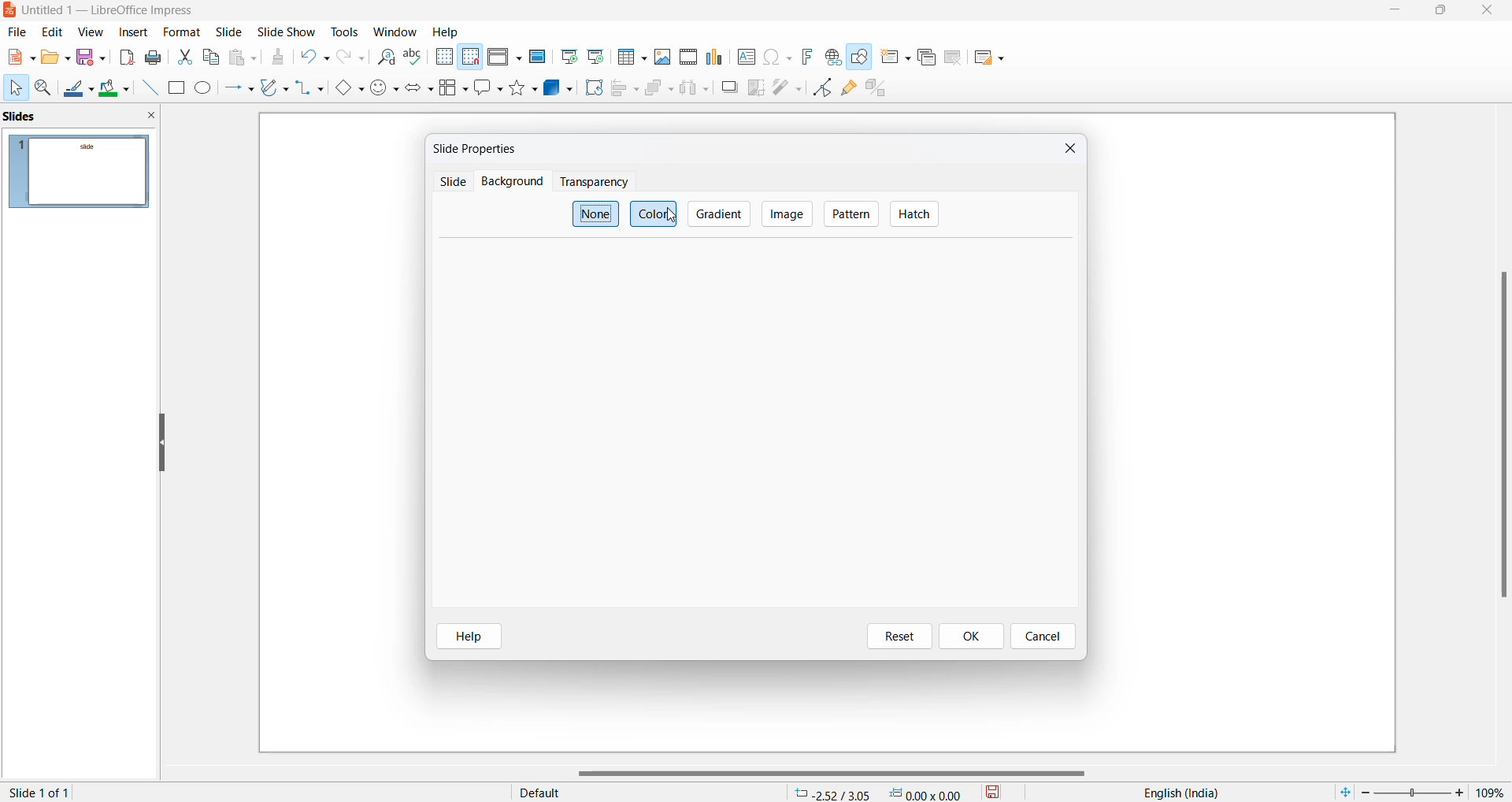 The width and height of the screenshot is (1512, 802). Describe the element at coordinates (925, 58) in the screenshot. I see `duplicate slide` at that location.